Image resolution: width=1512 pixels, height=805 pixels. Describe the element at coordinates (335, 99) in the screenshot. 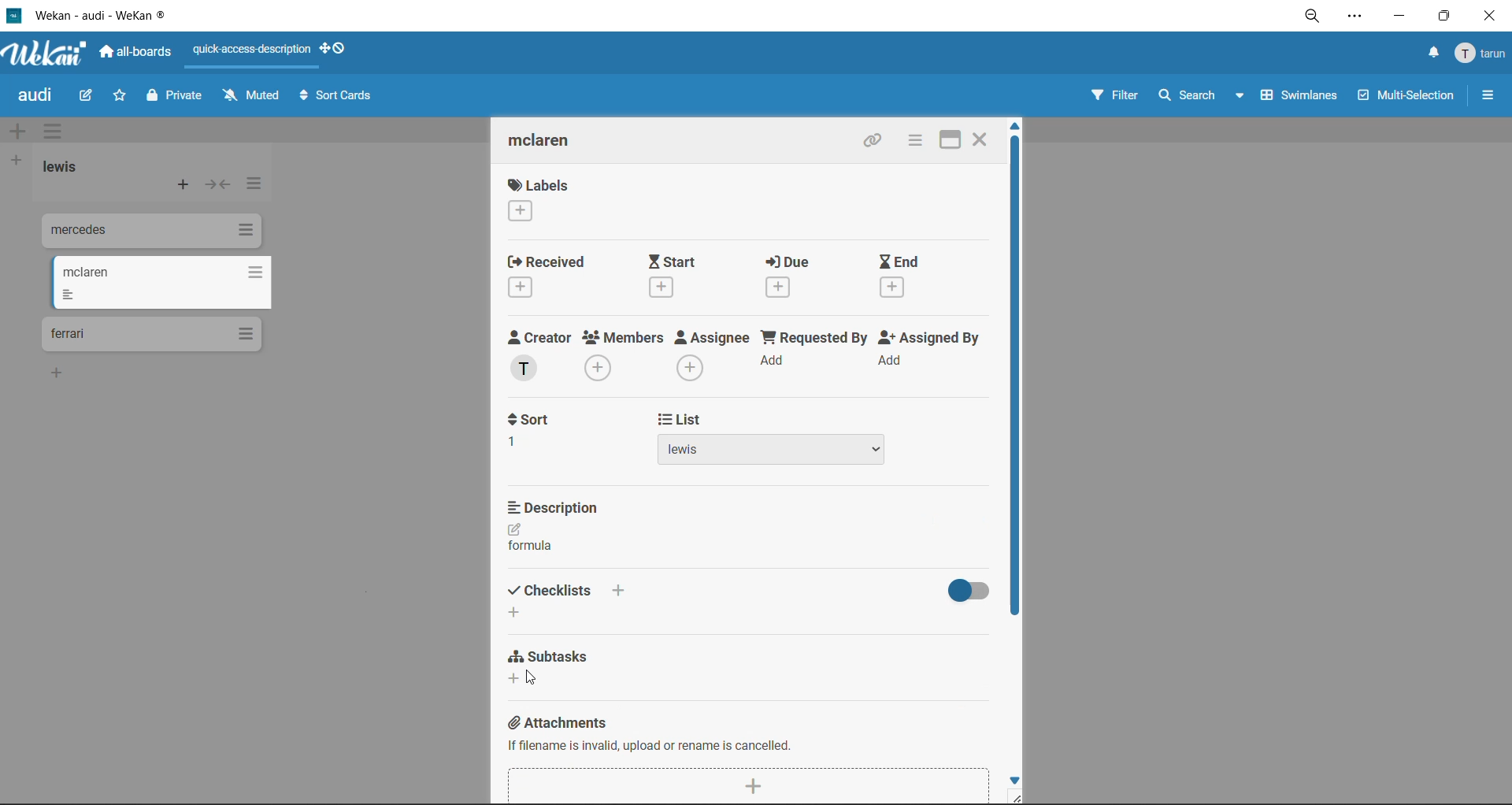

I see `sort cards` at that location.